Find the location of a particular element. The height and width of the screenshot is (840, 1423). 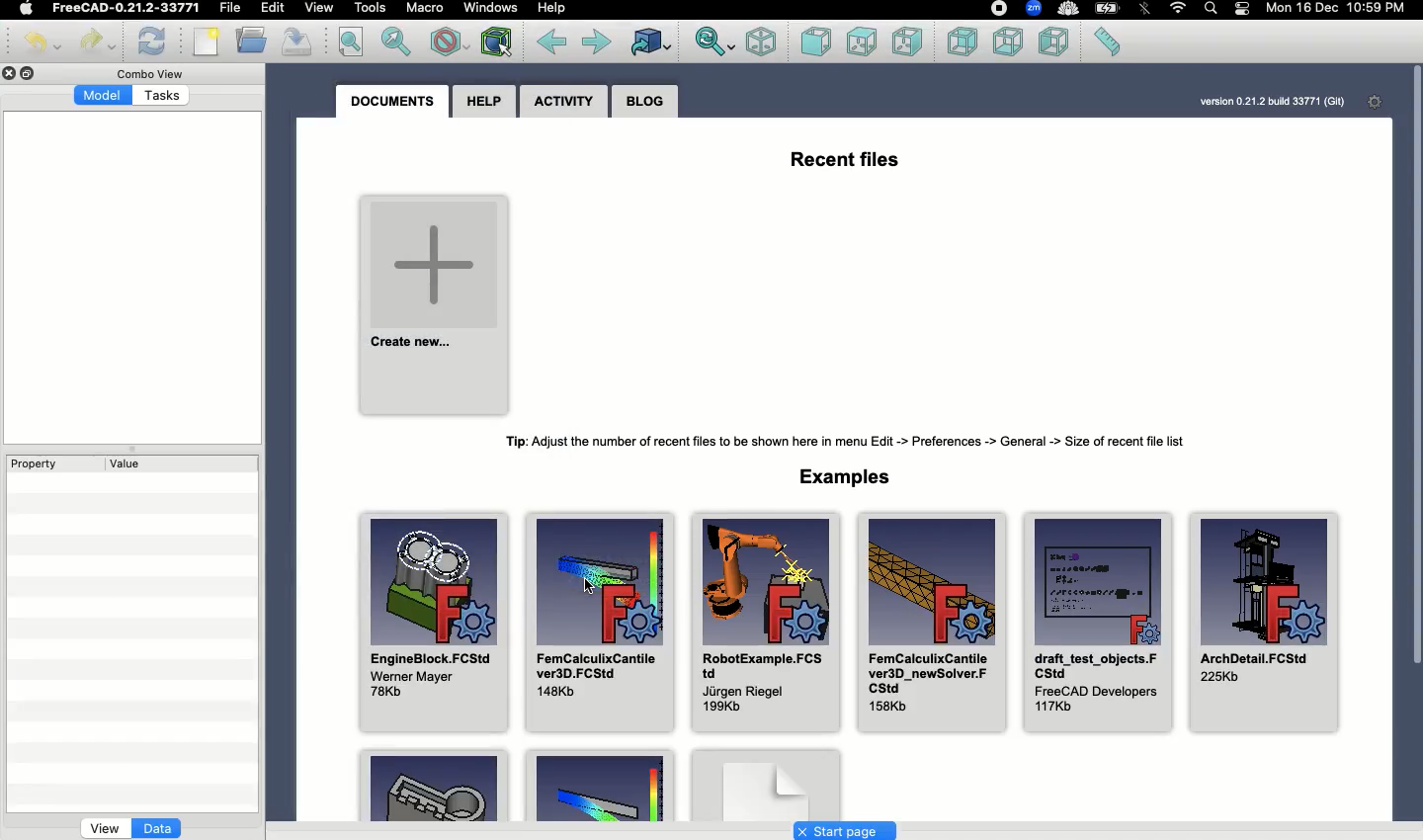

Save is located at coordinates (296, 40).